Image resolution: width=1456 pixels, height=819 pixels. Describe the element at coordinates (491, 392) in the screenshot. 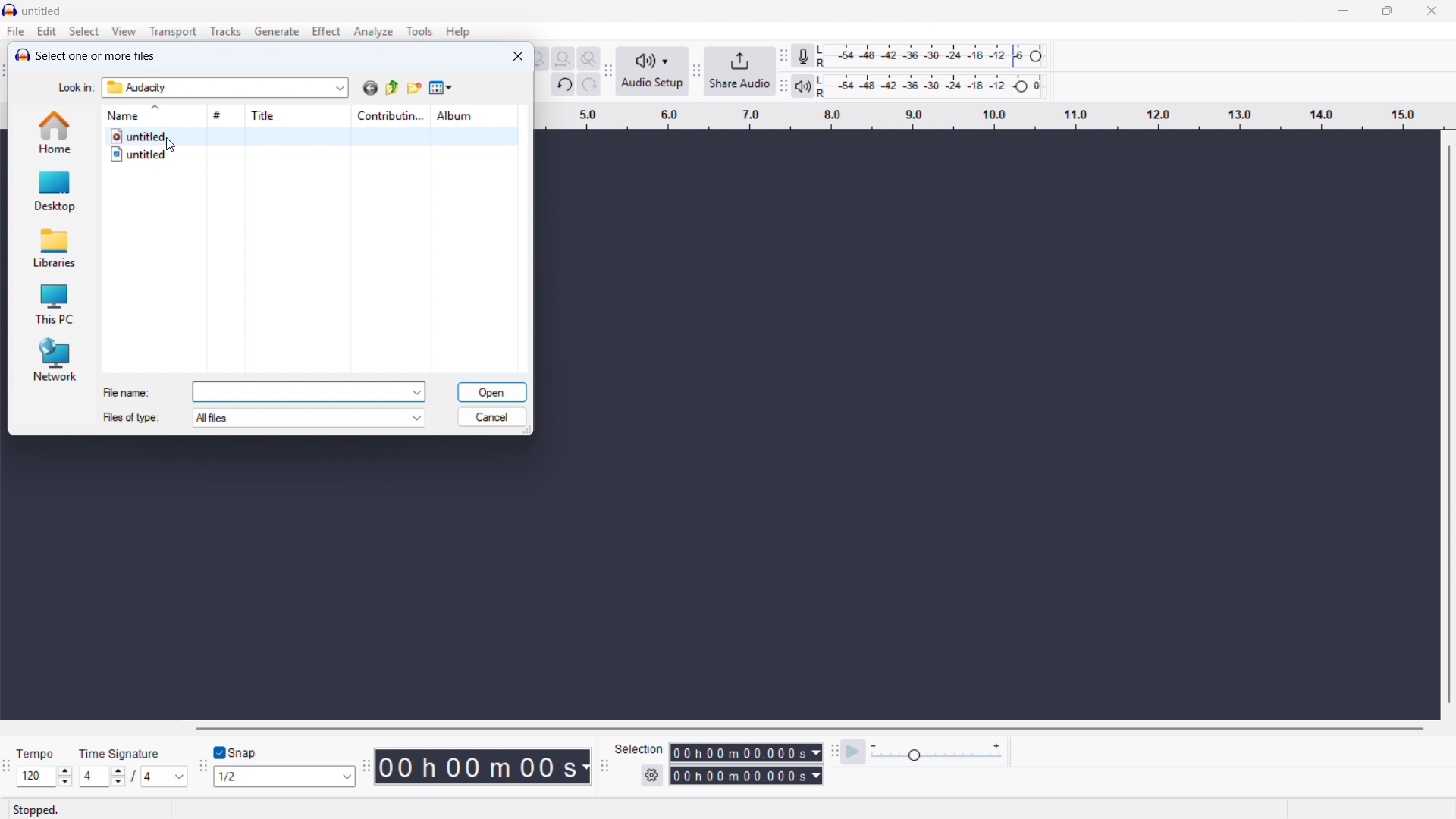

I see `open ` at that location.